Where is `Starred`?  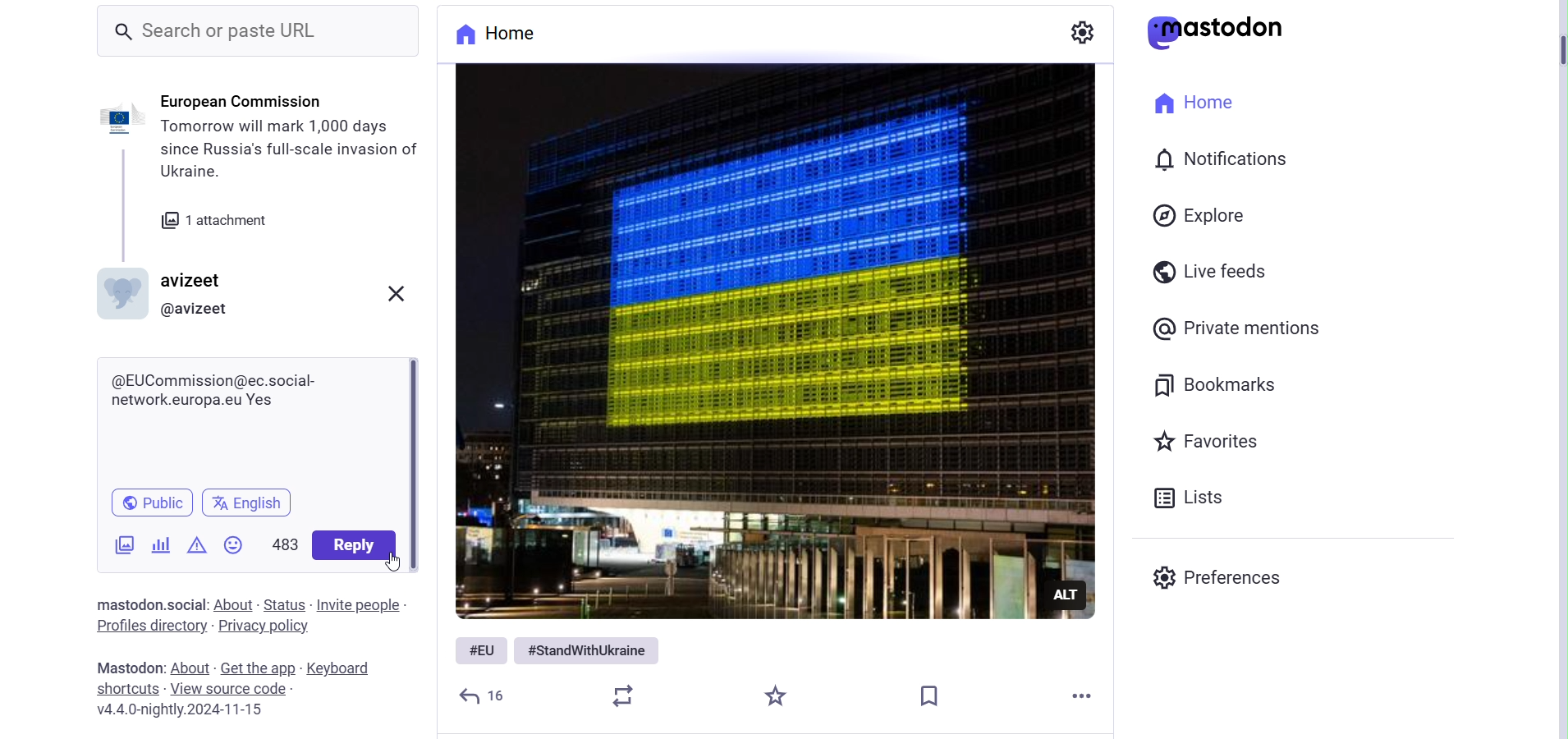
Starred is located at coordinates (777, 698).